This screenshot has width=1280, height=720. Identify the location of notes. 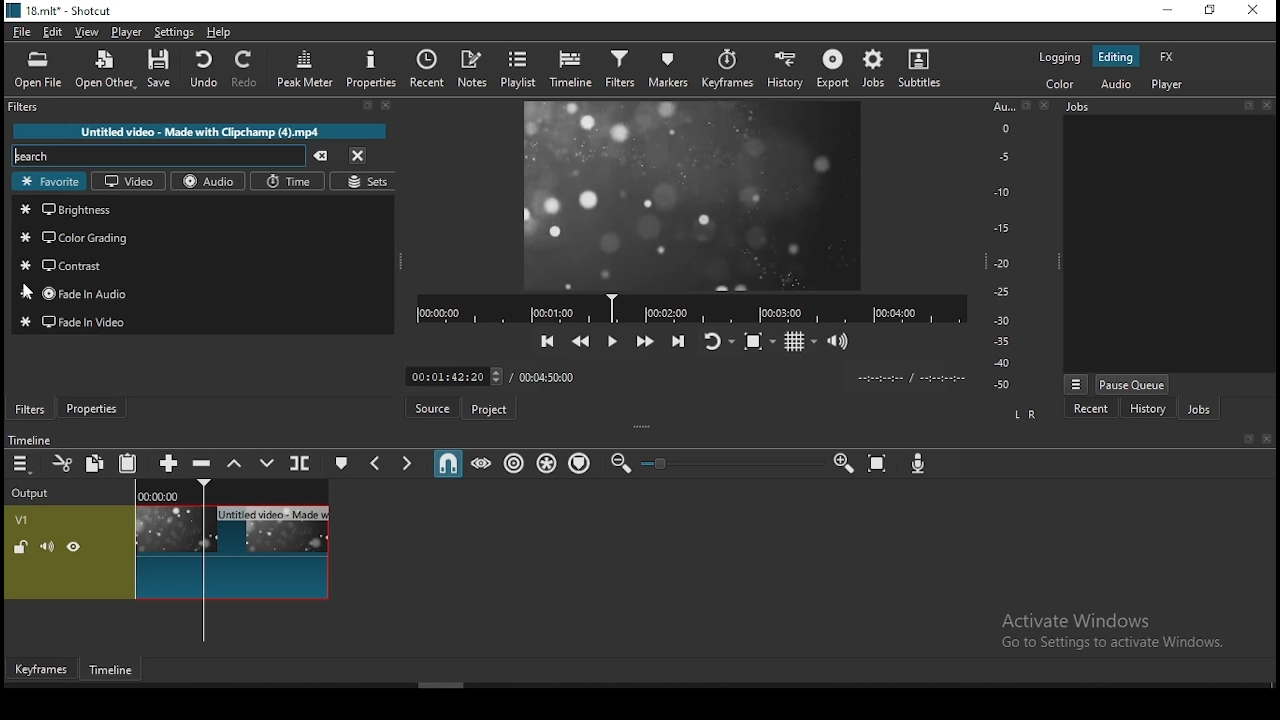
(473, 70).